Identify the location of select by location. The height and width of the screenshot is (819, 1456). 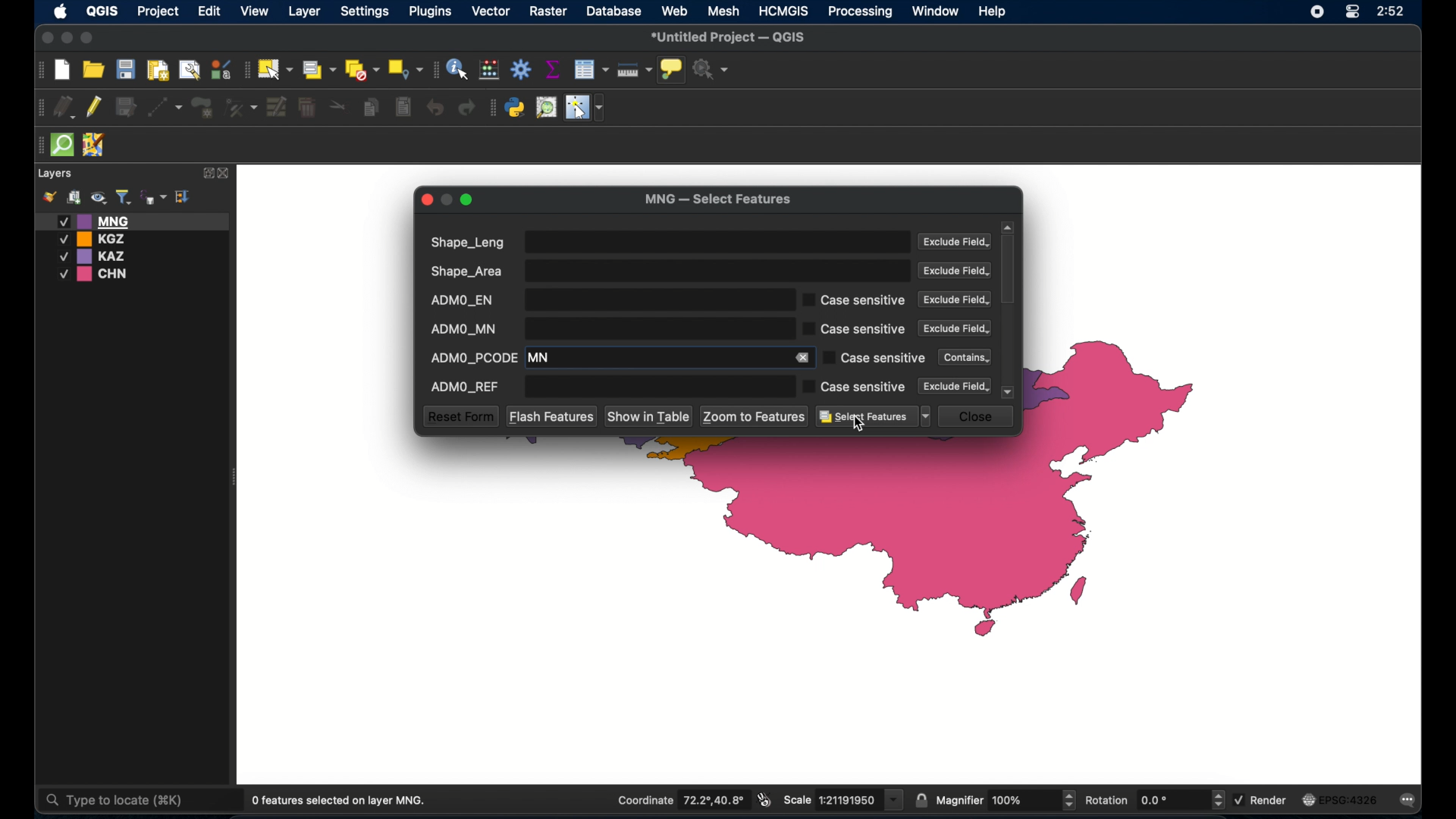
(406, 70).